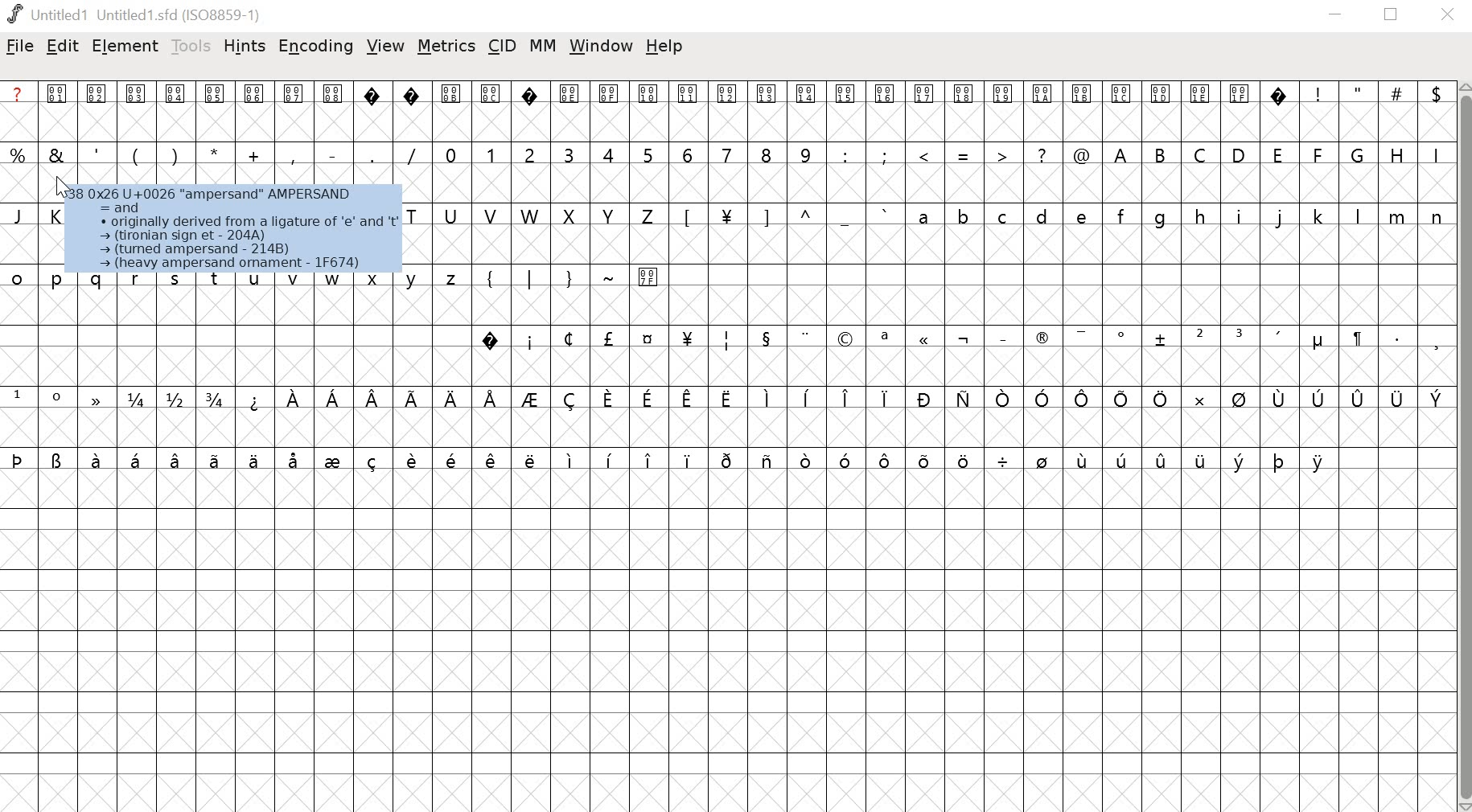  I want to click on symbol, so click(530, 459).